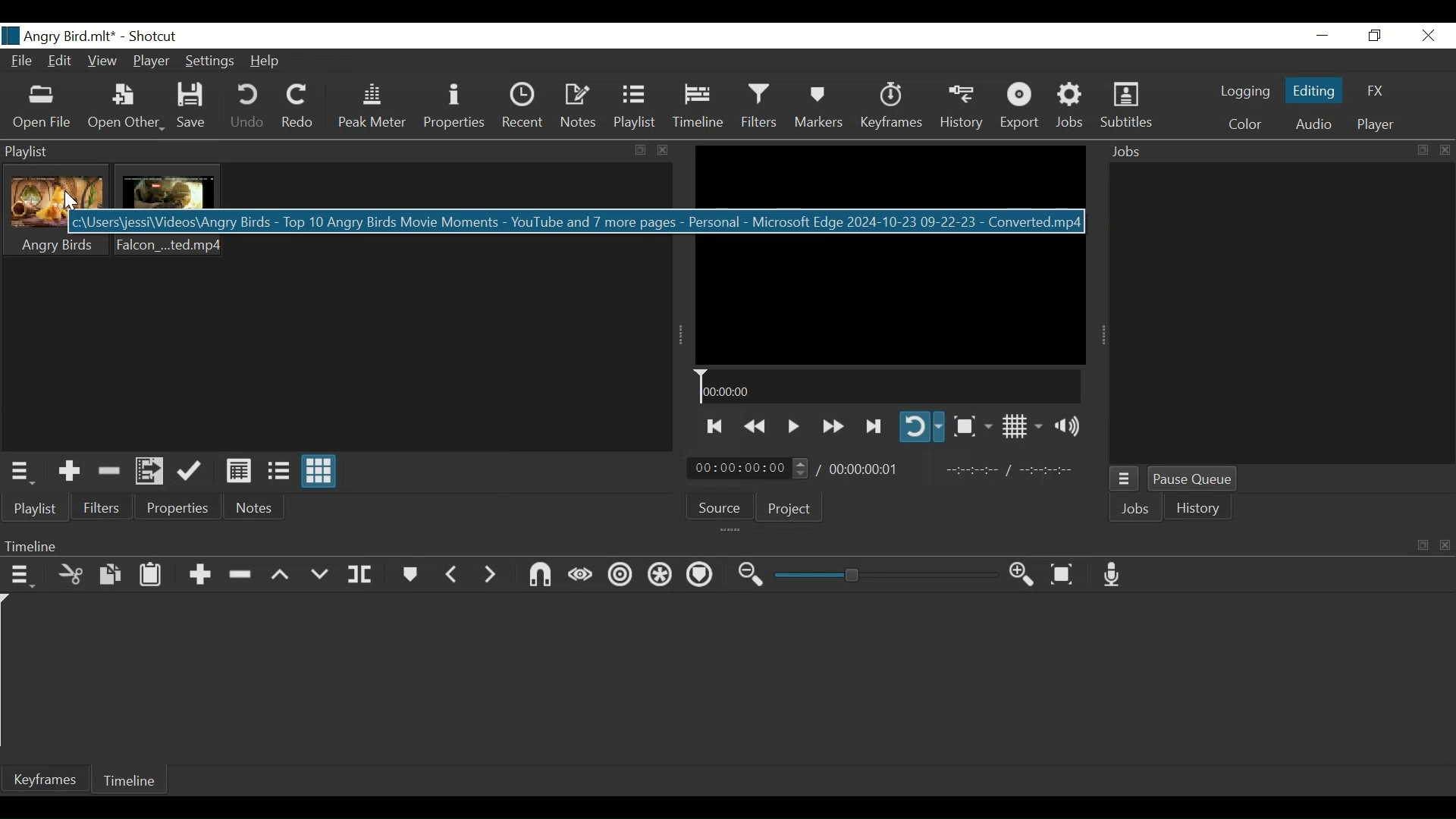  I want to click on Jobs, so click(1135, 508).